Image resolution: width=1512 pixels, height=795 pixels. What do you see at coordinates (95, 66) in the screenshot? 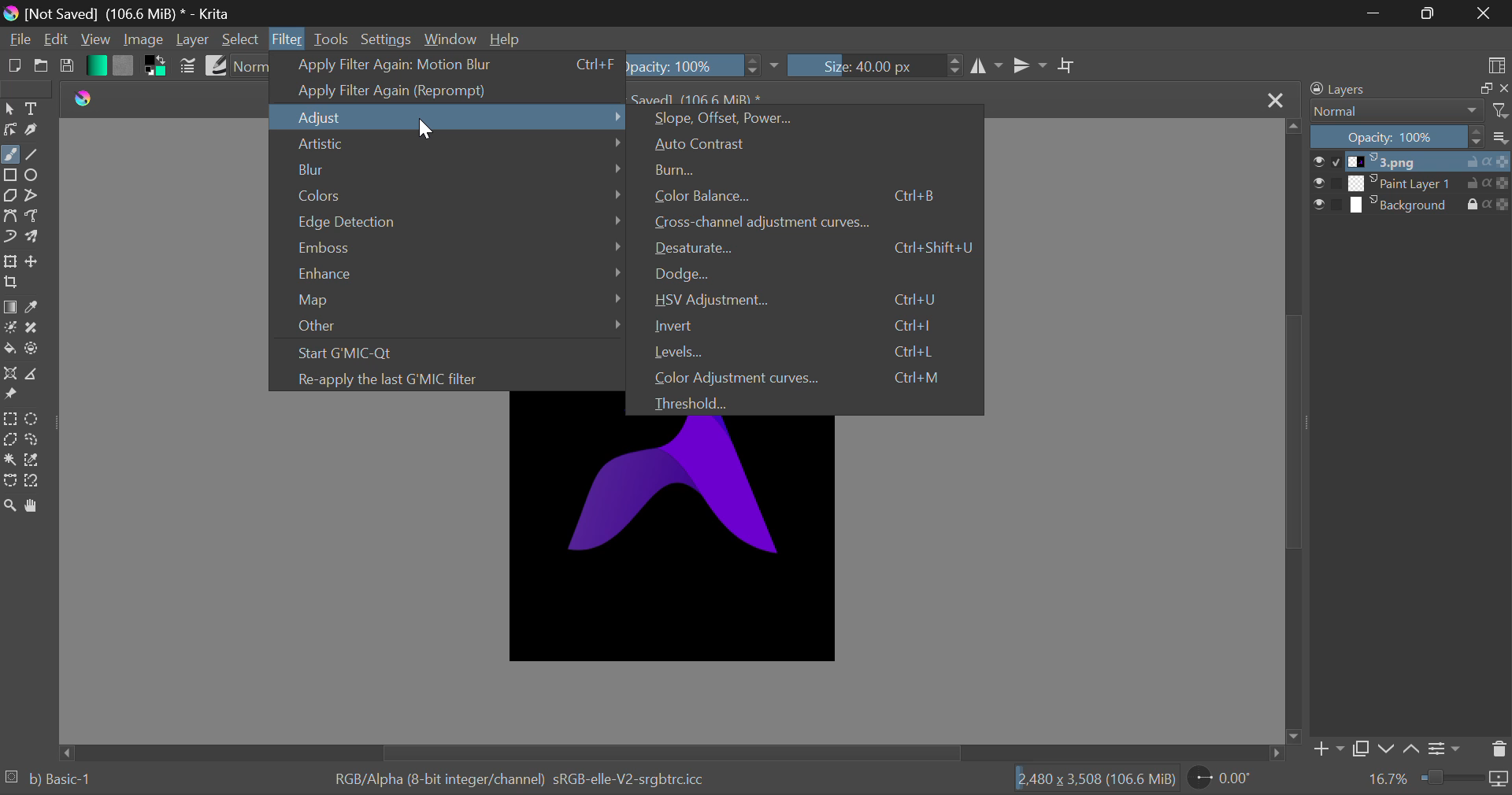
I see `Gradient` at bounding box center [95, 66].